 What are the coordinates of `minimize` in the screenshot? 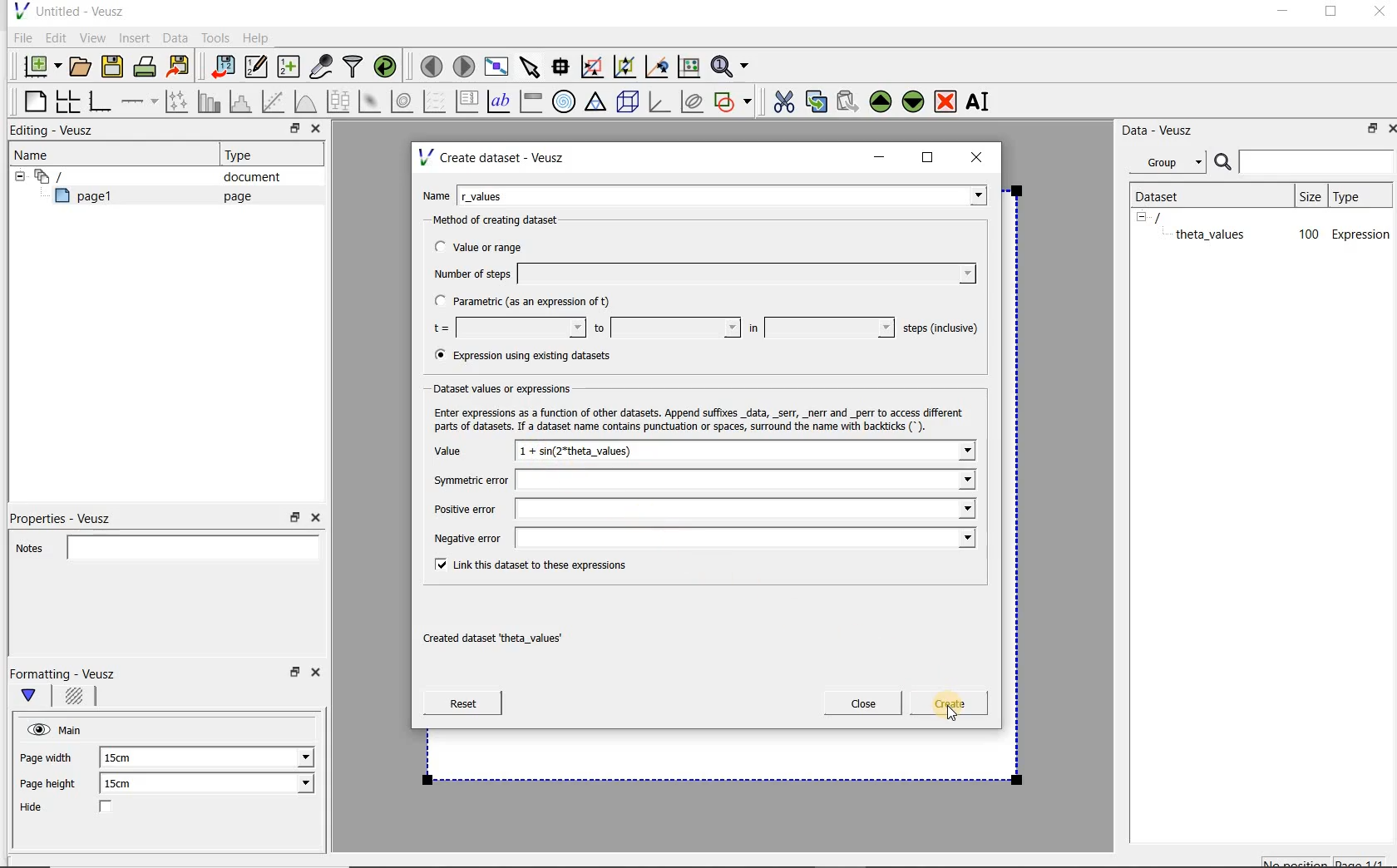 It's located at (1281, 13).